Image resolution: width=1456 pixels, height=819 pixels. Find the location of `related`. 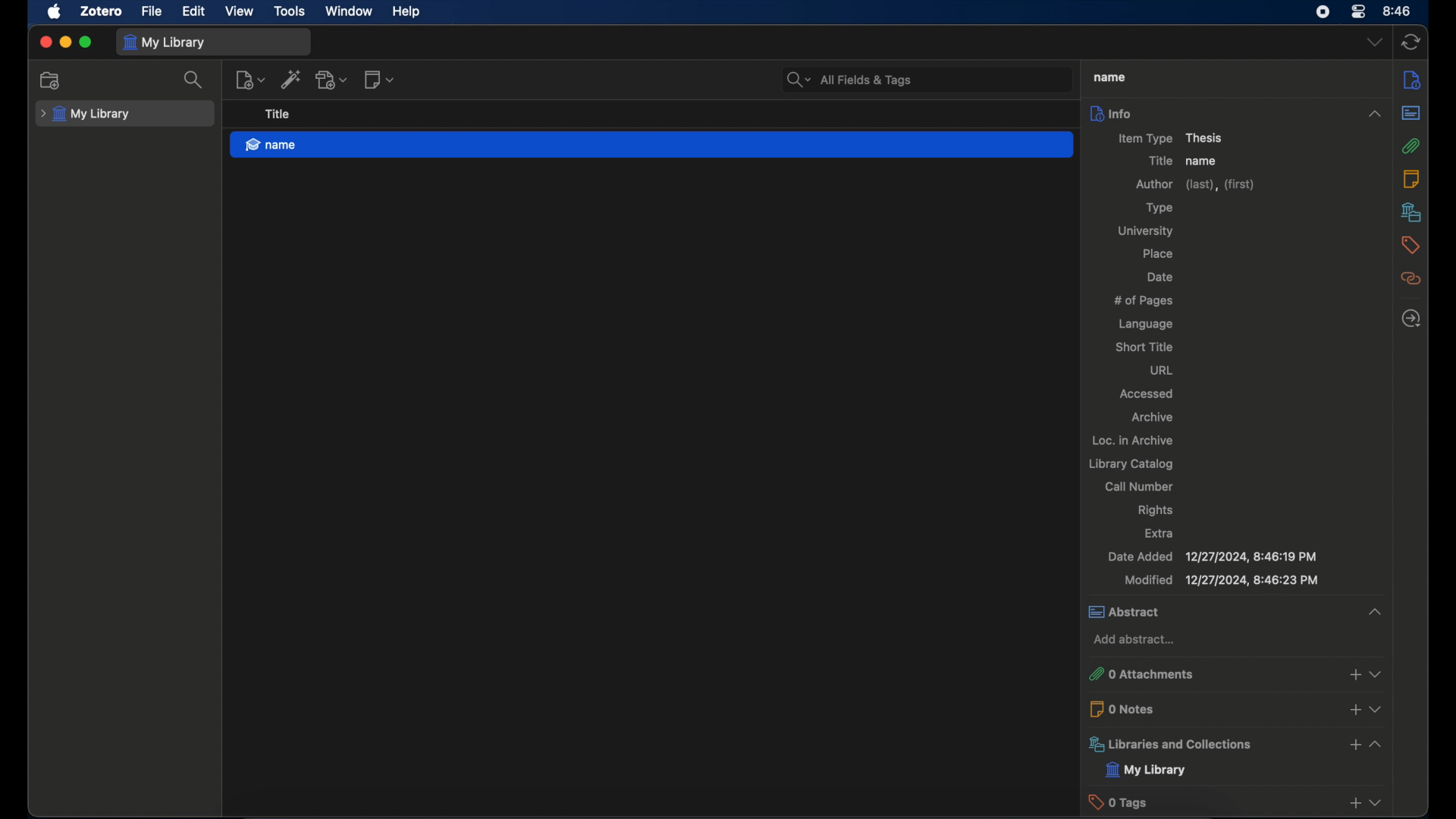

related is located at coordinates (1412, 279).